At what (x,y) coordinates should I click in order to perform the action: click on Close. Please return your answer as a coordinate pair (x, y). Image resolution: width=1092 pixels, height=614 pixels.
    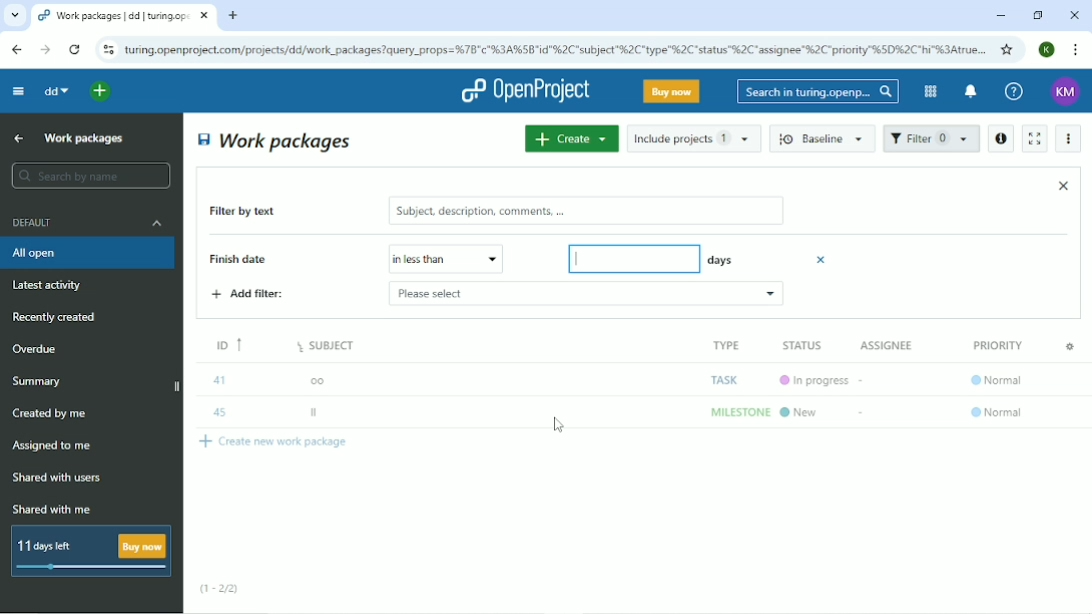
    Looking at the image, I should click on (823, 259).